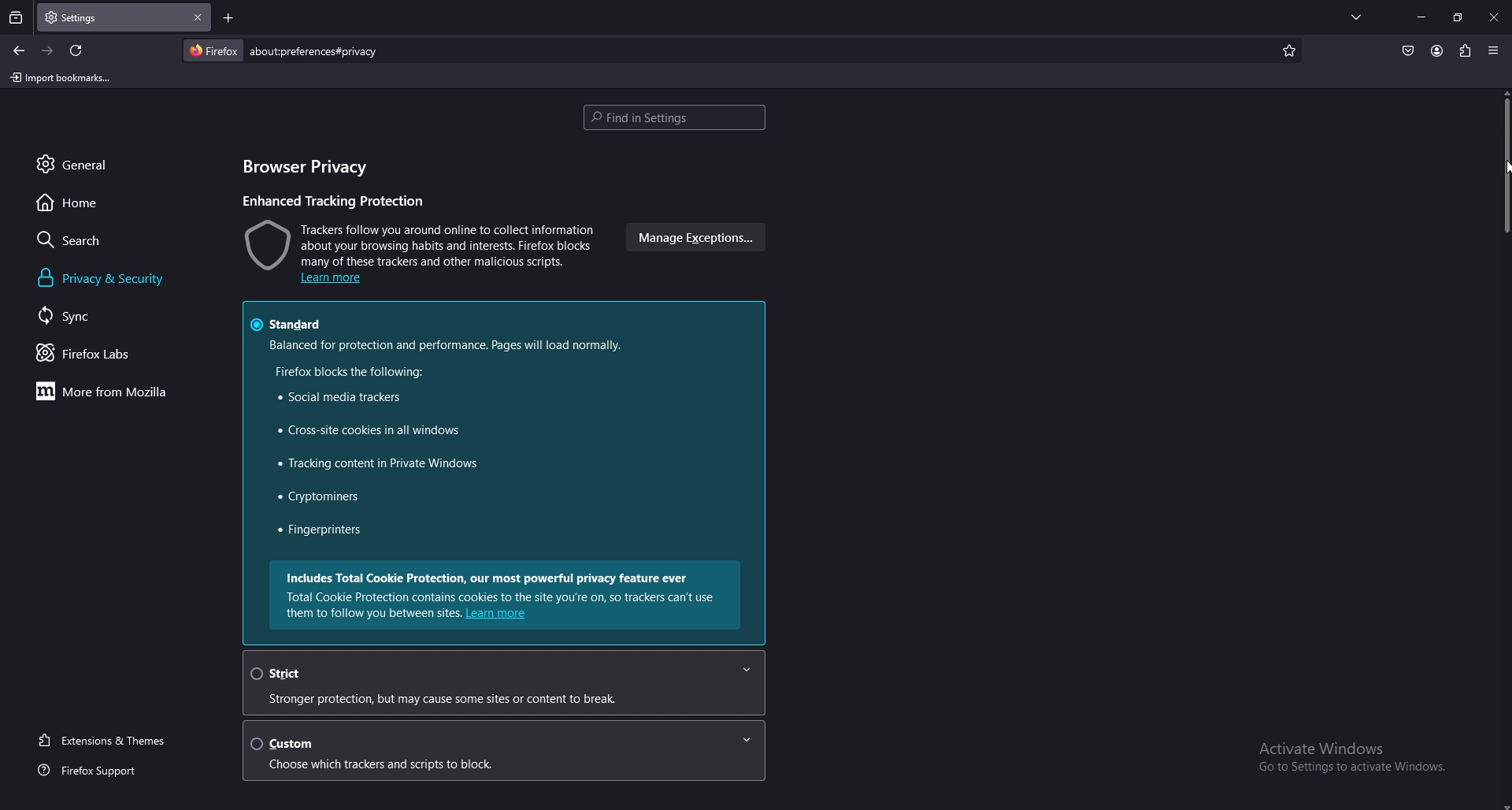 The image size is (1512, 810). Describe the element at coordinates (198, 18) in the screenshot. I see `close tab` at that location.